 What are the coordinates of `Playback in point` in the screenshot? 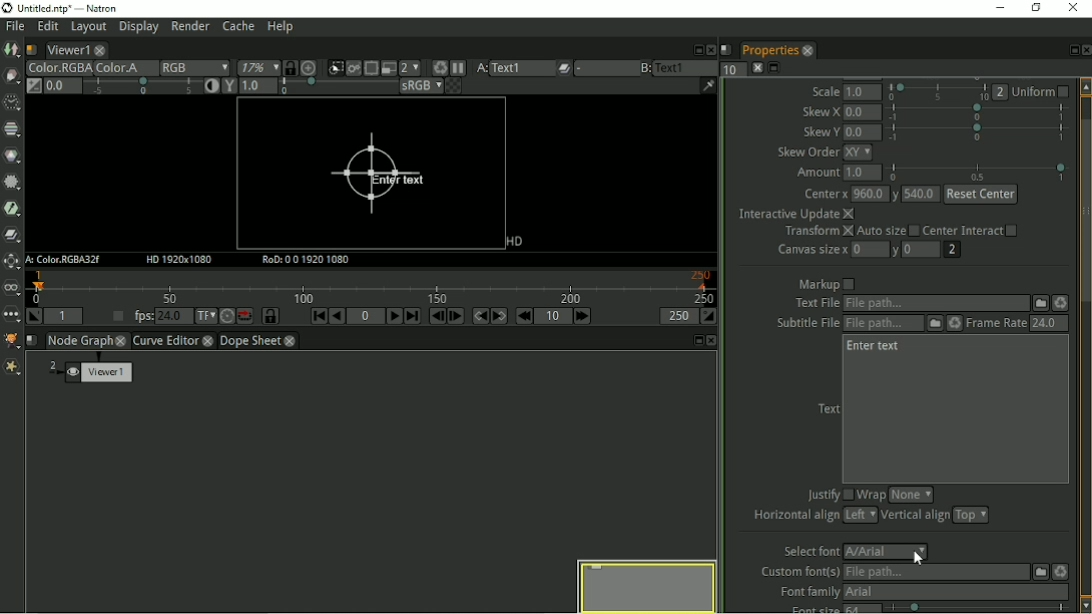 It's located at (63, 316).